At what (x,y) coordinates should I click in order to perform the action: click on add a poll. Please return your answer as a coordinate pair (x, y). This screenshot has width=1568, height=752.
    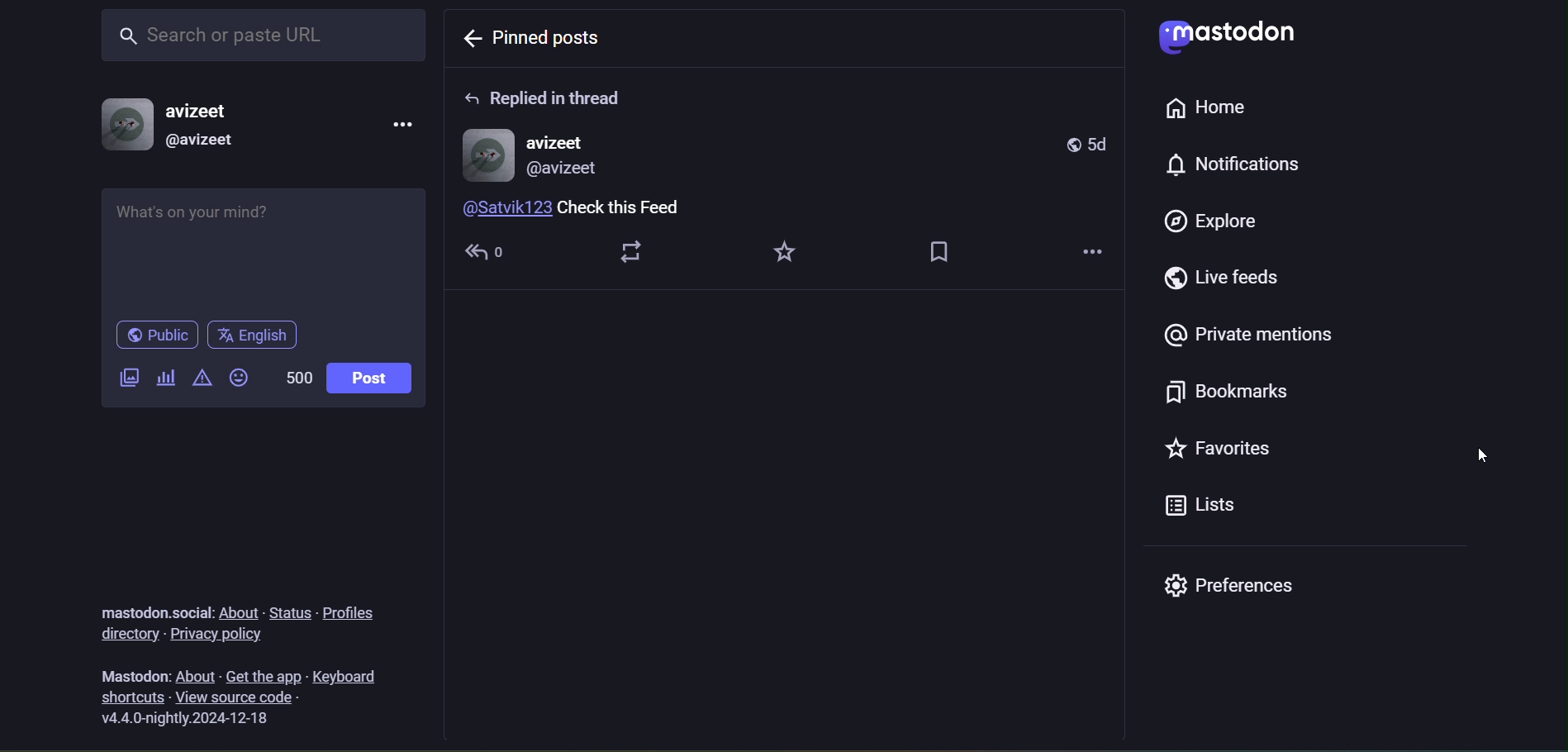
    Looking at the image, I should click on (164, 373).